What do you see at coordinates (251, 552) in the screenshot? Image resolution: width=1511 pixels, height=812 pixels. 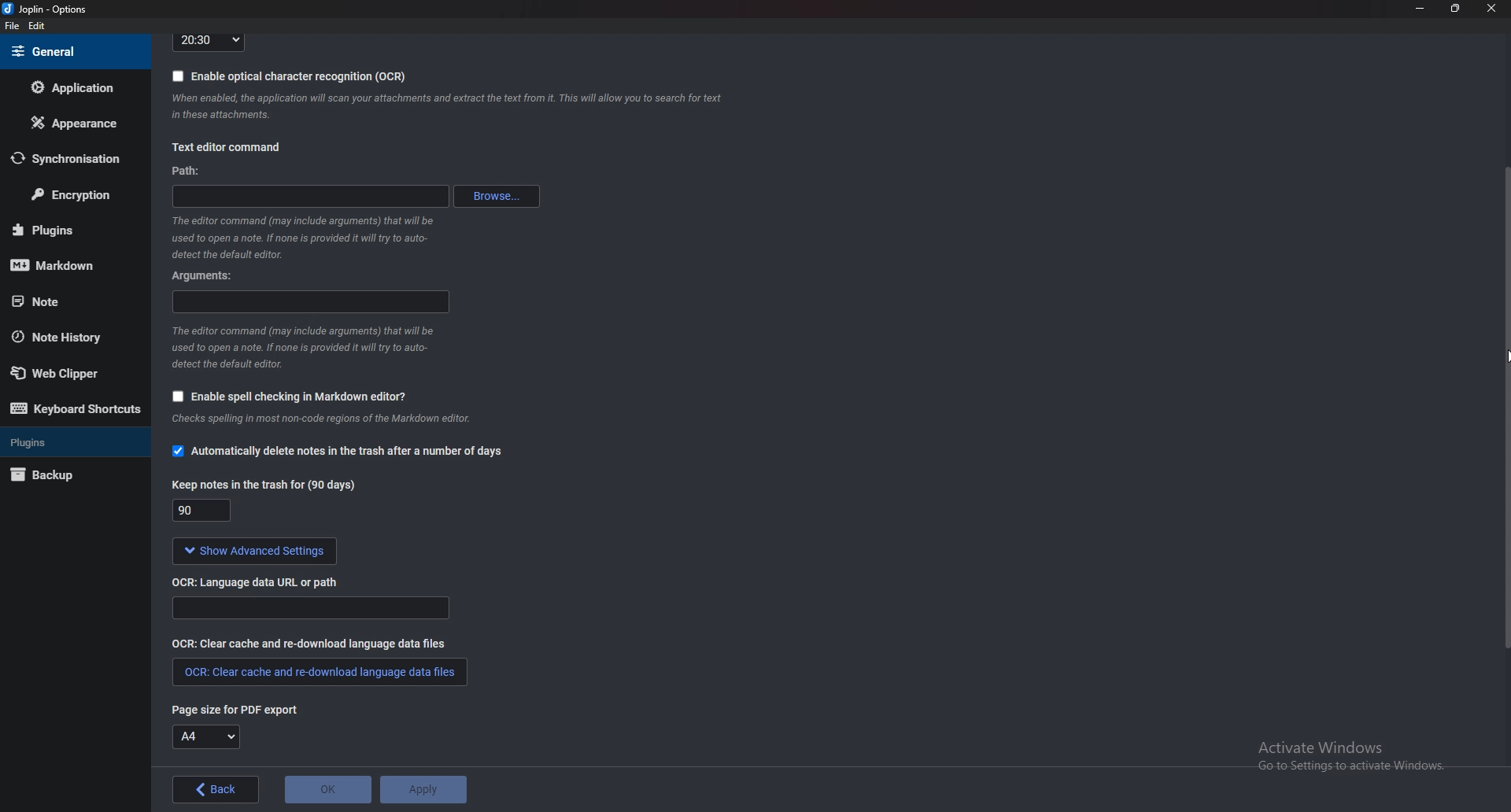 I see `show advanced settings` at bounding box center [251, 552].